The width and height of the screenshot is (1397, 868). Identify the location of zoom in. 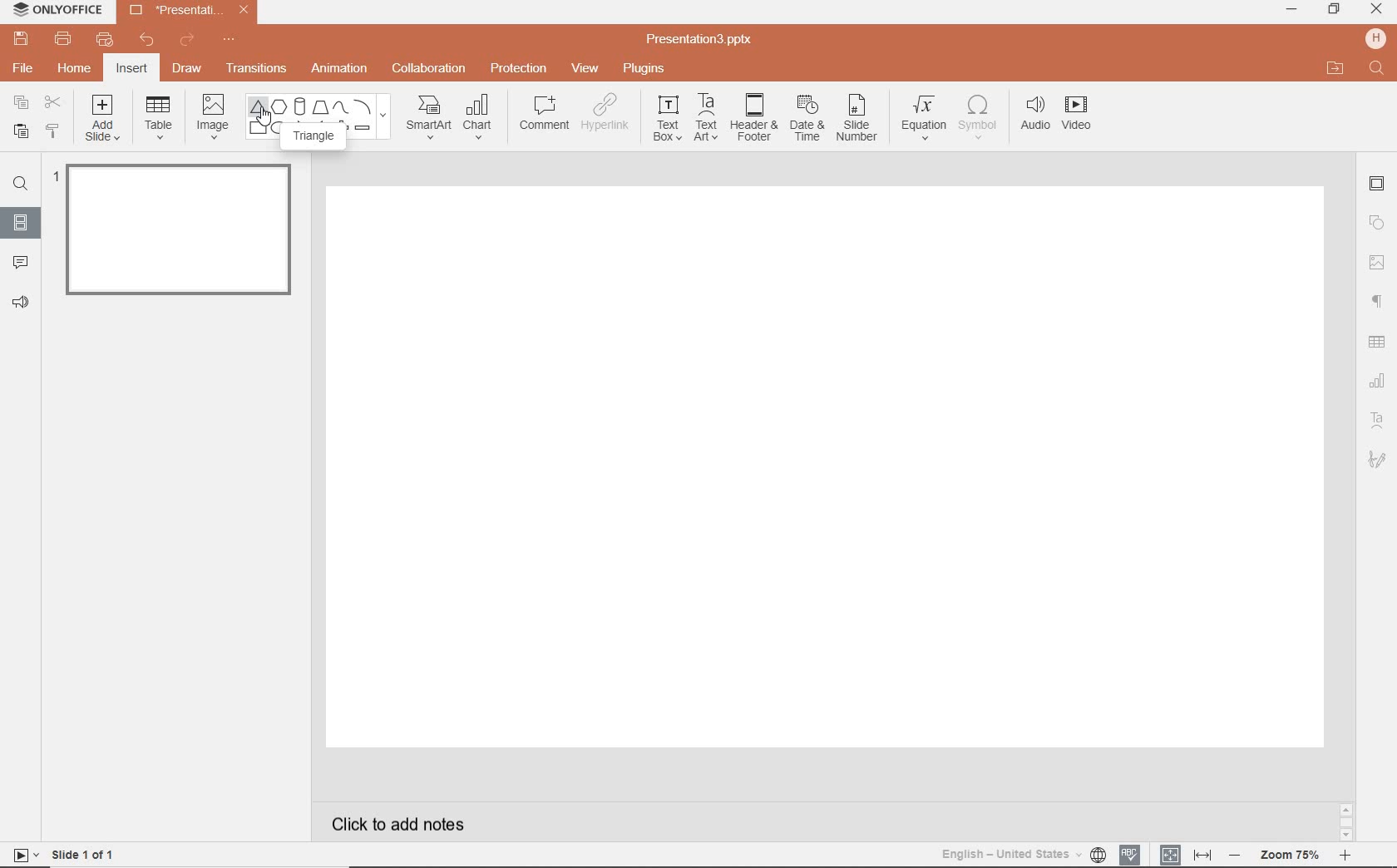
(1345, 857).